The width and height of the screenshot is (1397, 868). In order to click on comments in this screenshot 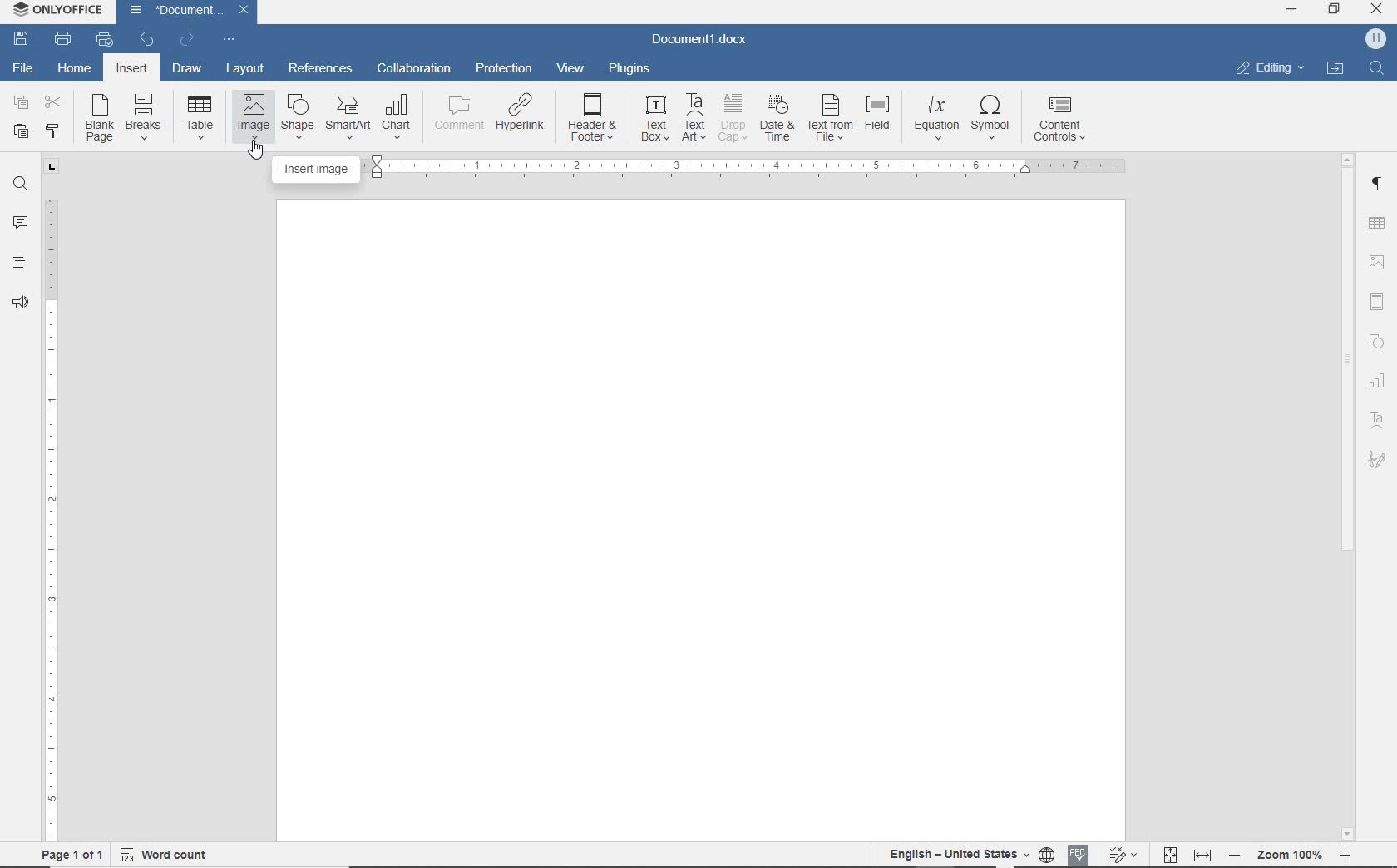, I will do `click(20, 224)`.